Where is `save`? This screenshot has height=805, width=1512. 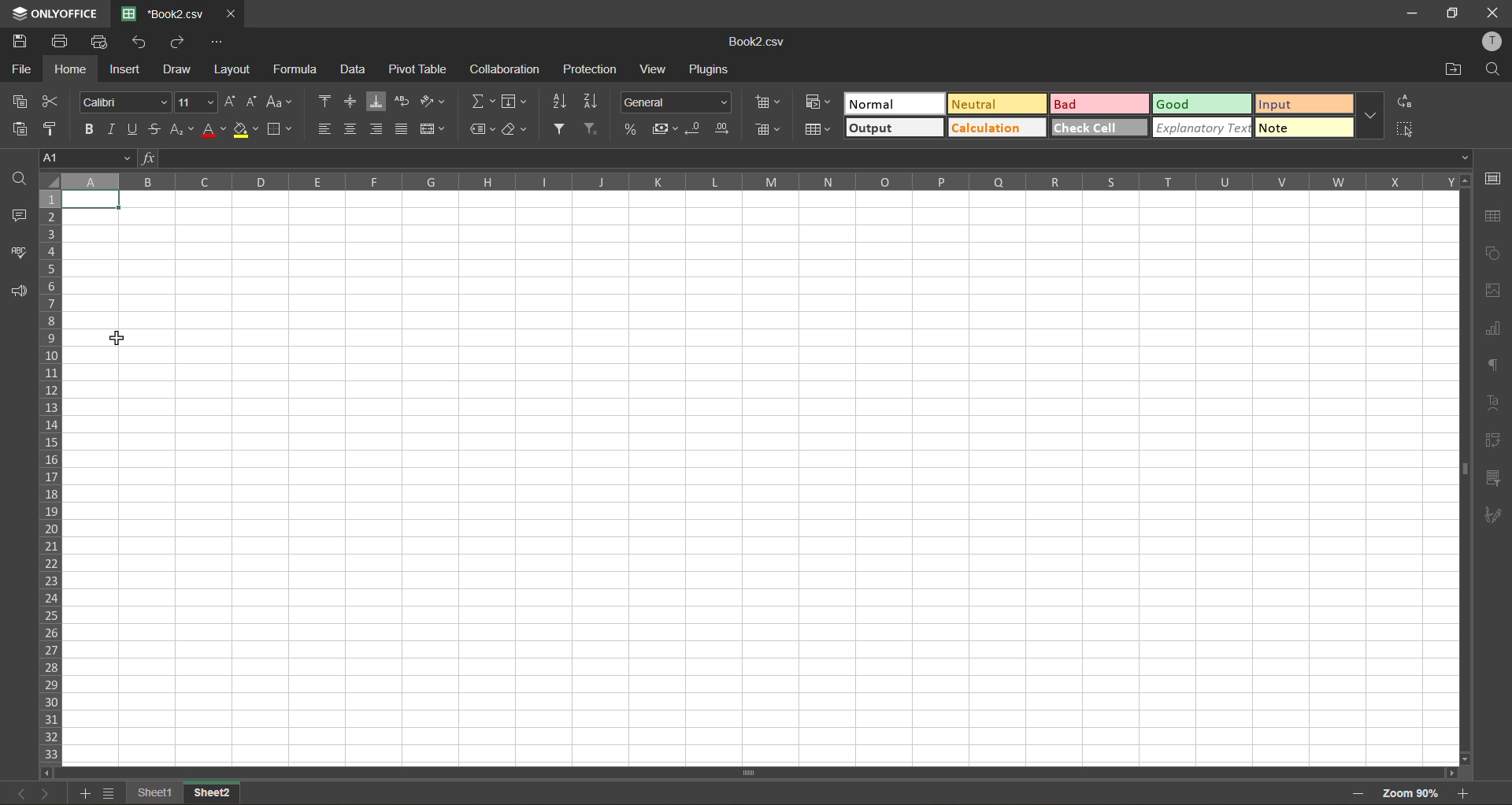
save is located at coordinates (20, 40).